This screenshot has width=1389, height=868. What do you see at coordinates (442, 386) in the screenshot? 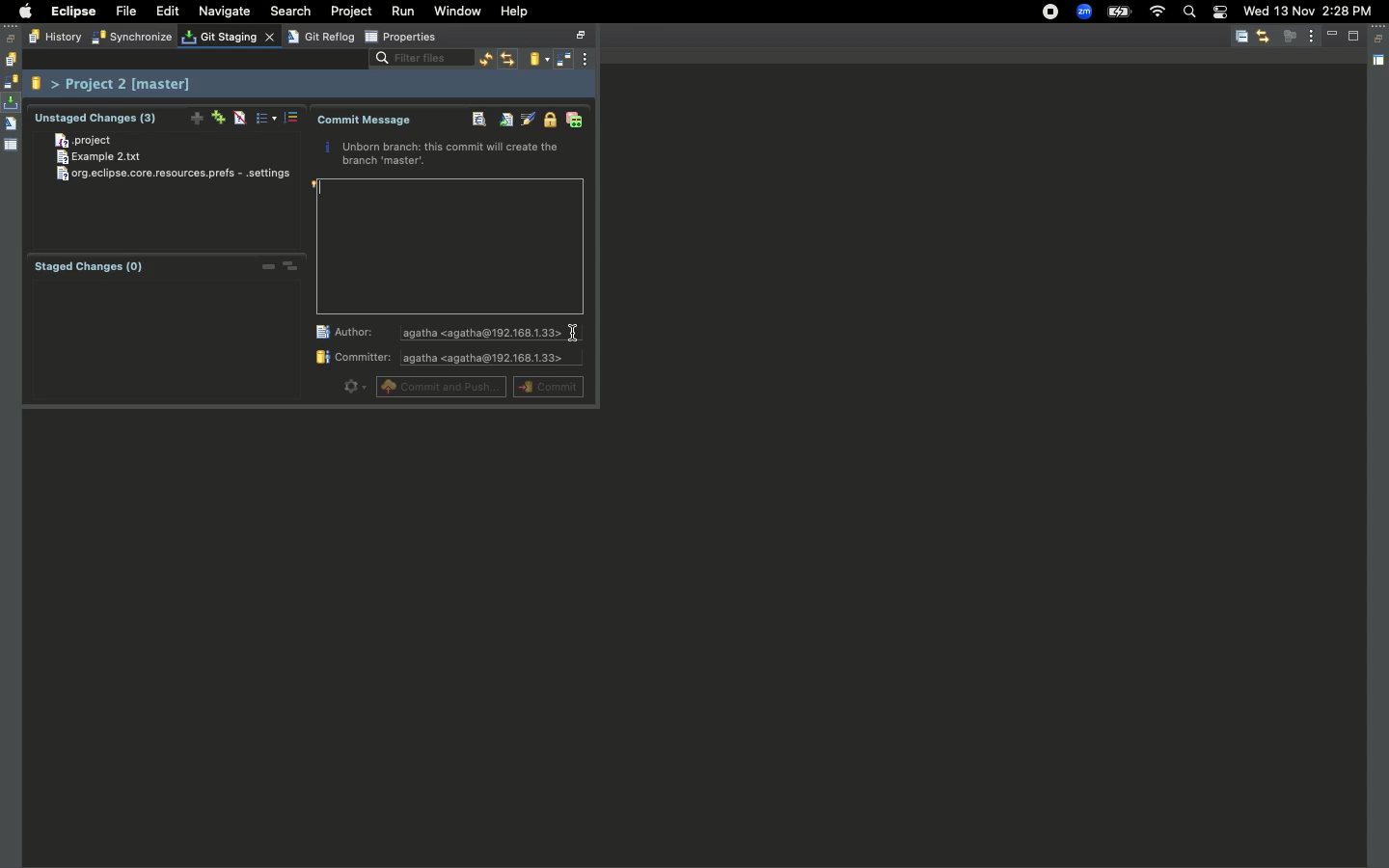
I see `Commit and push` at bounding box center [442, 386].